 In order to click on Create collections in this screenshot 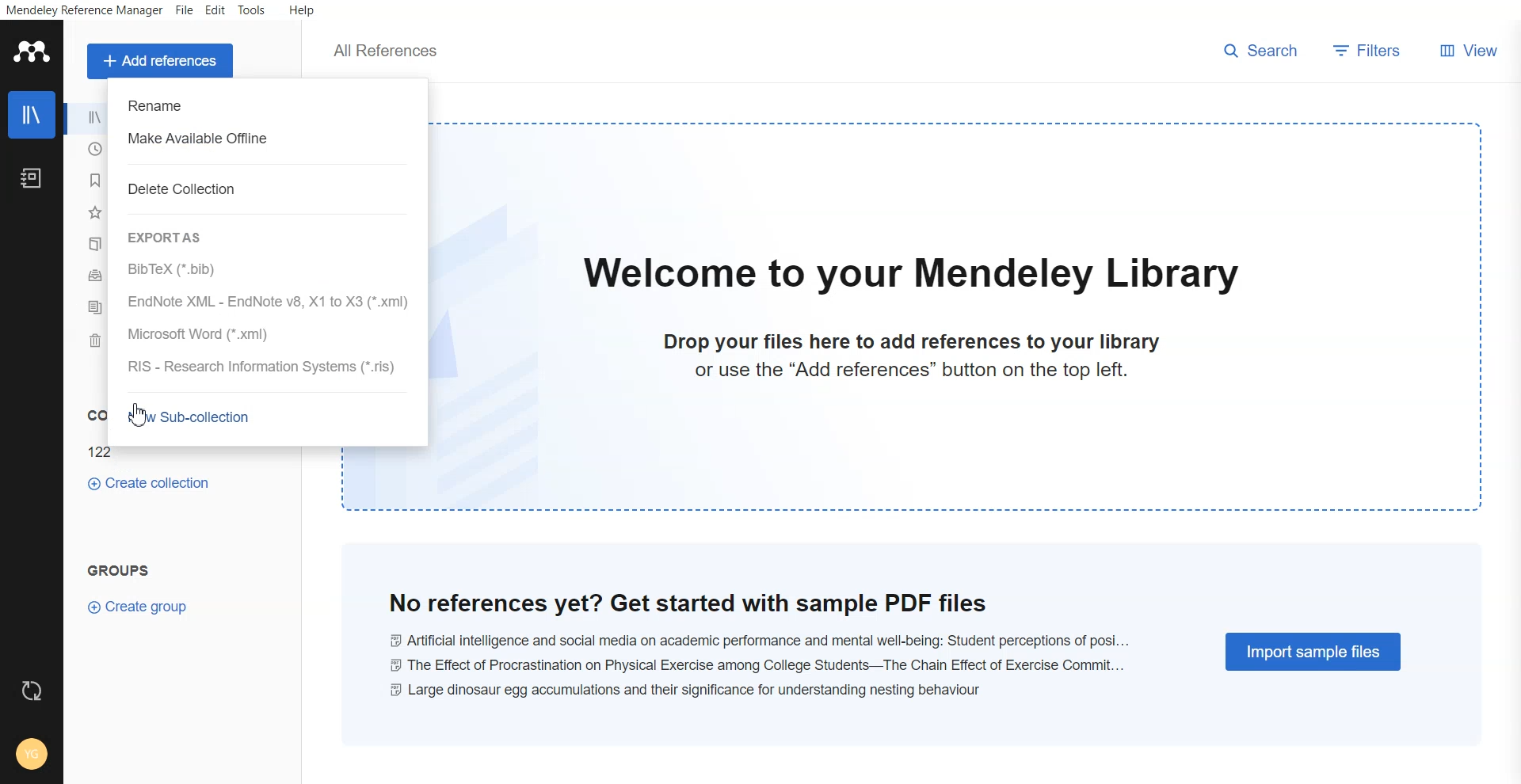, I will do `click(153, 483)`.